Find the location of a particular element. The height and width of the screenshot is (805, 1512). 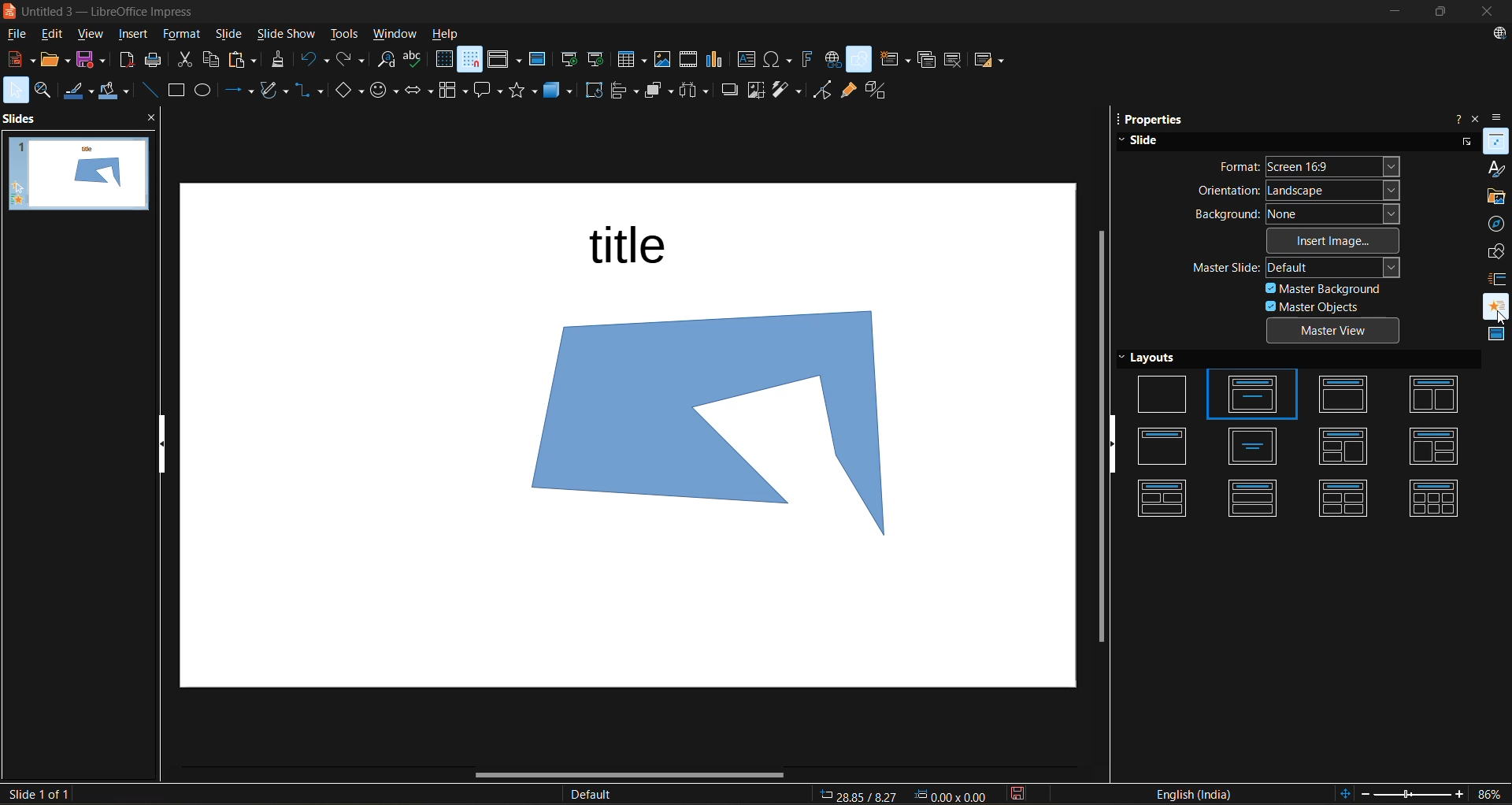

display grid is located at coordinates (443, 61).